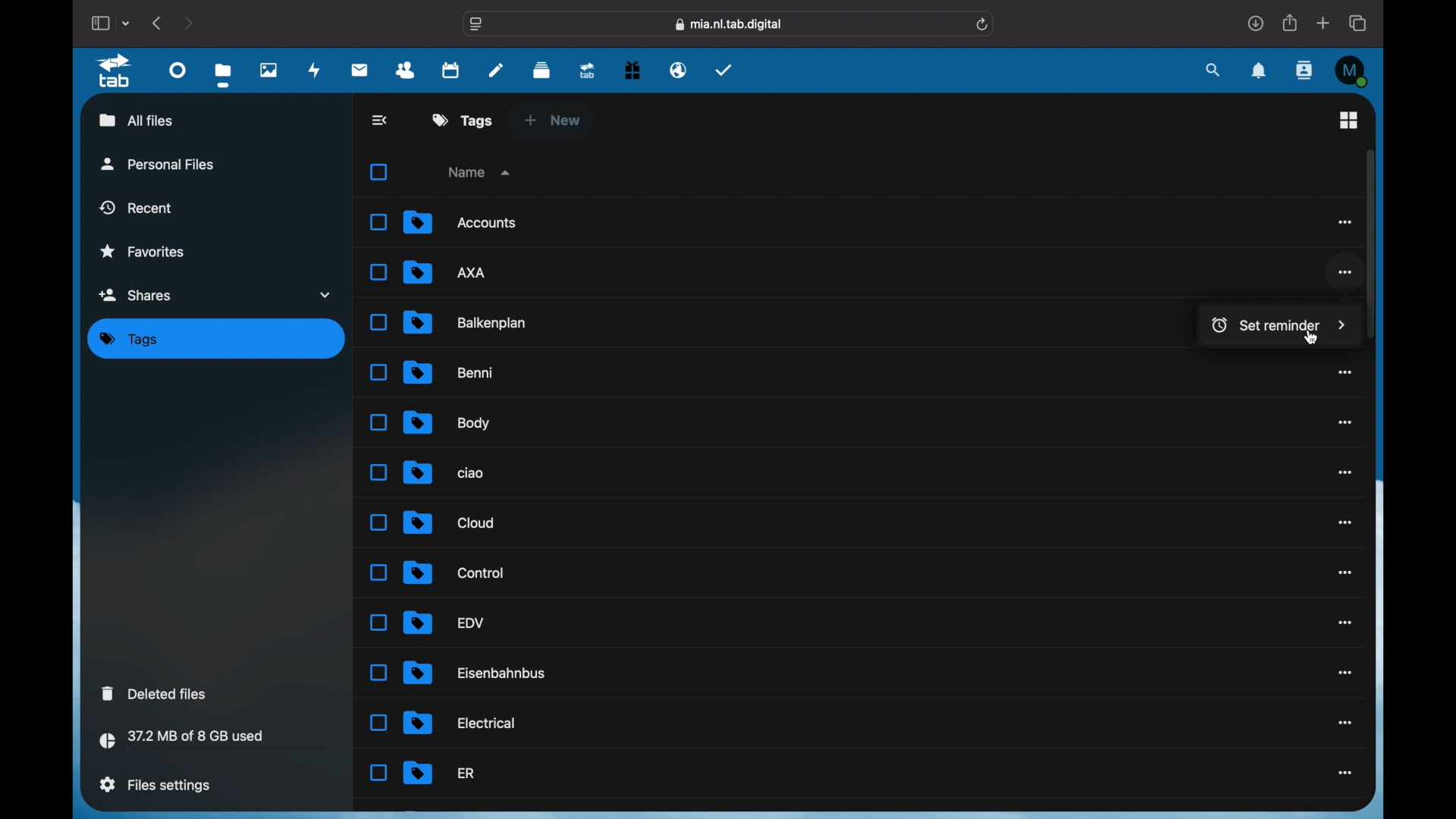  What do you see at coordinates (1291, 23) in the screenshot?
I see `share` at bounding box center [1291, 23].